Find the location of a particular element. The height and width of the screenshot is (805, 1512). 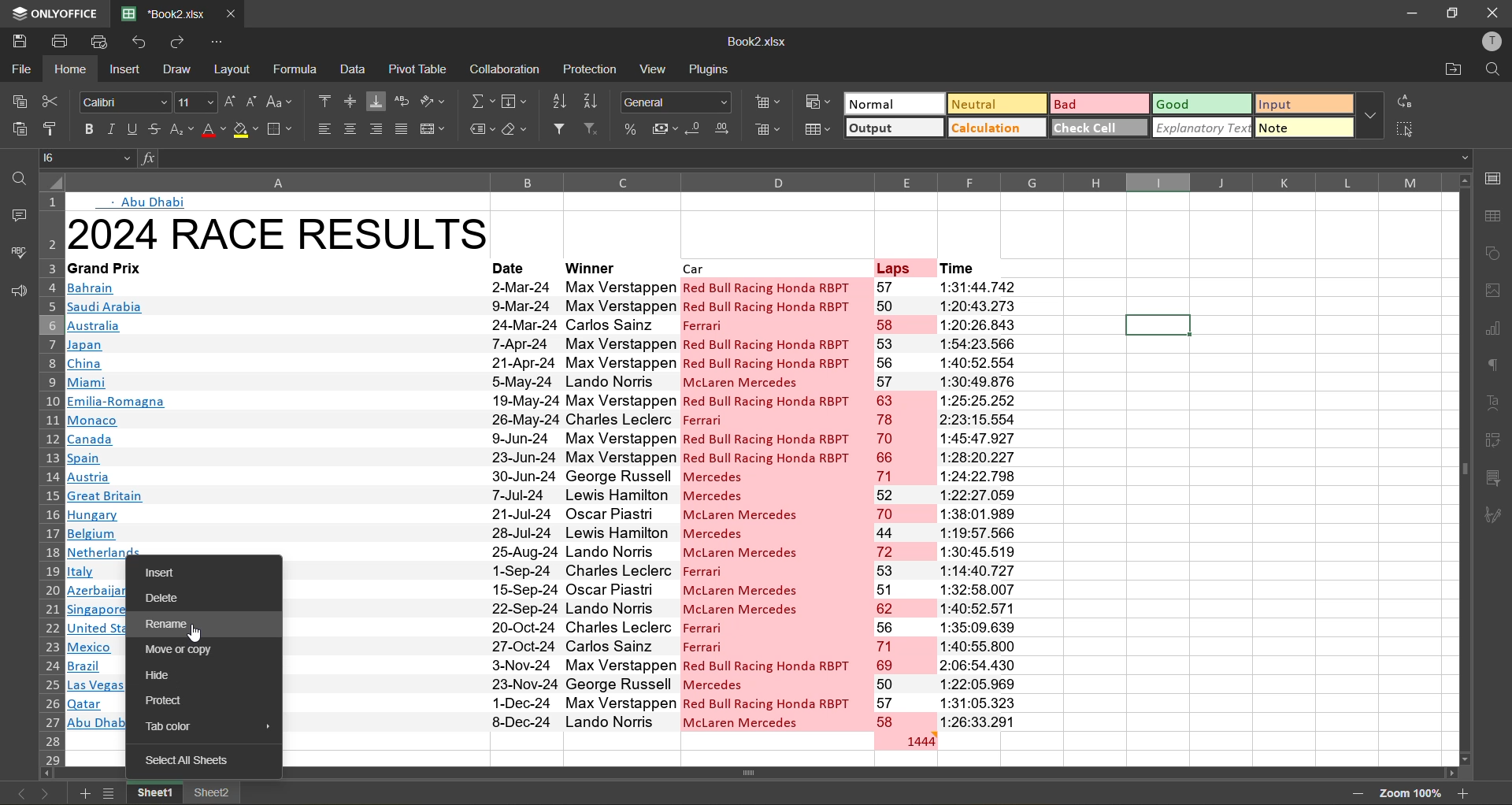

sheet names is located at coordinates (152, 793).